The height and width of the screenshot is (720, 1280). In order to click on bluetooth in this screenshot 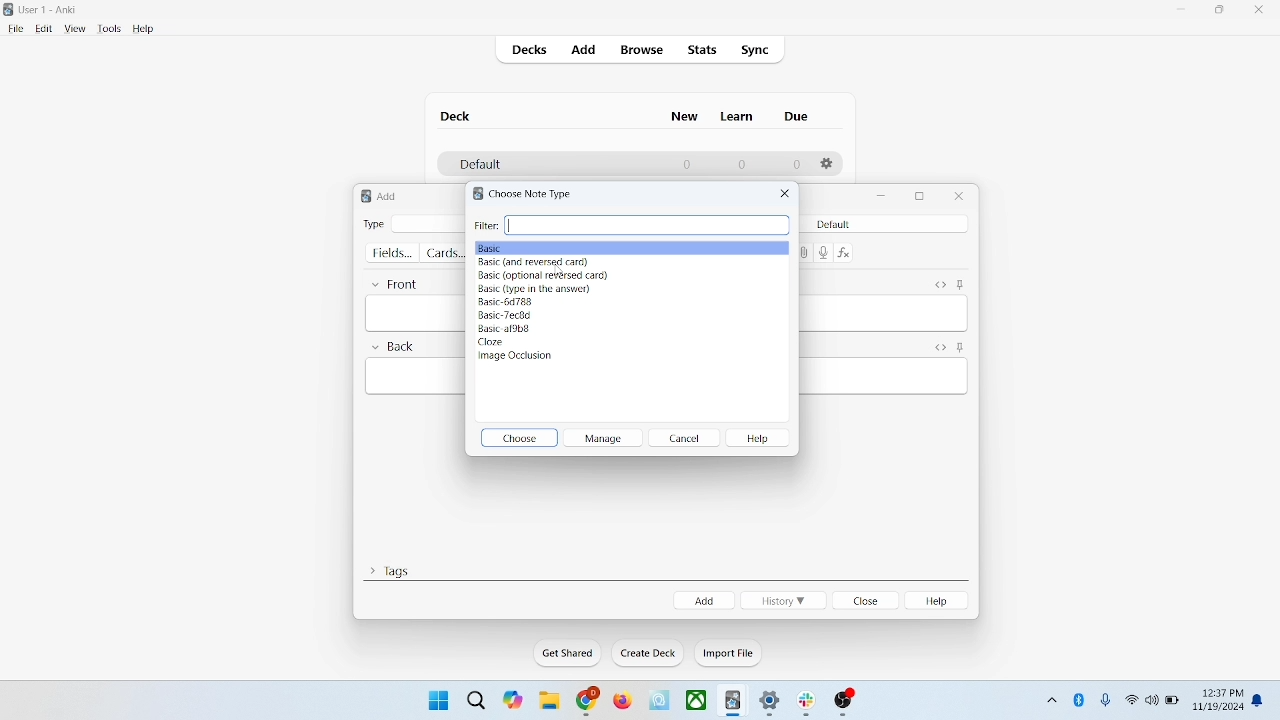, I will do `click(1080, 699)`.